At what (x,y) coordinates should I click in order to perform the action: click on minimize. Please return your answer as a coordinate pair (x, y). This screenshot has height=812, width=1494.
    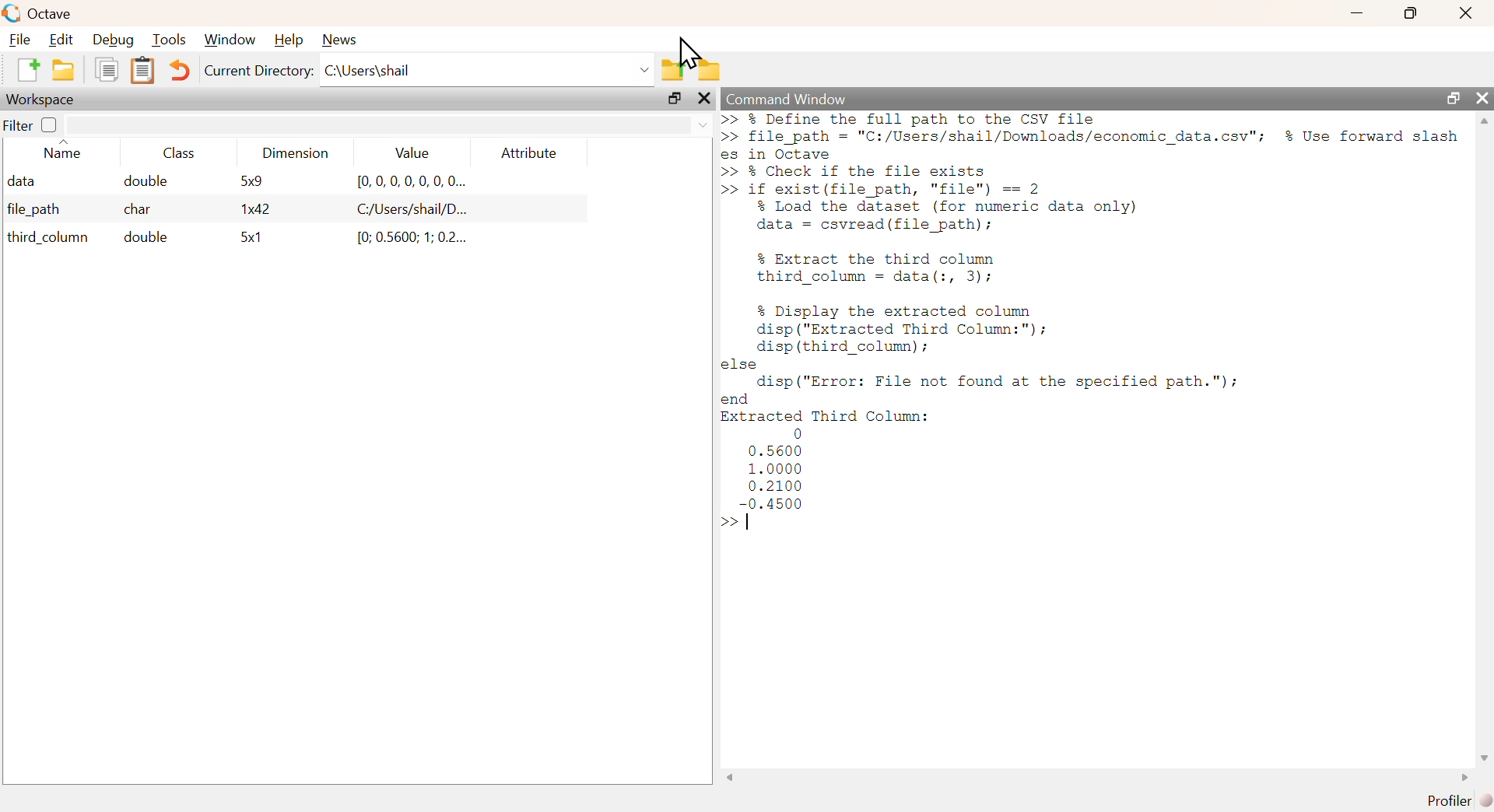
    Looking at the image, I should click on (1360, 15).